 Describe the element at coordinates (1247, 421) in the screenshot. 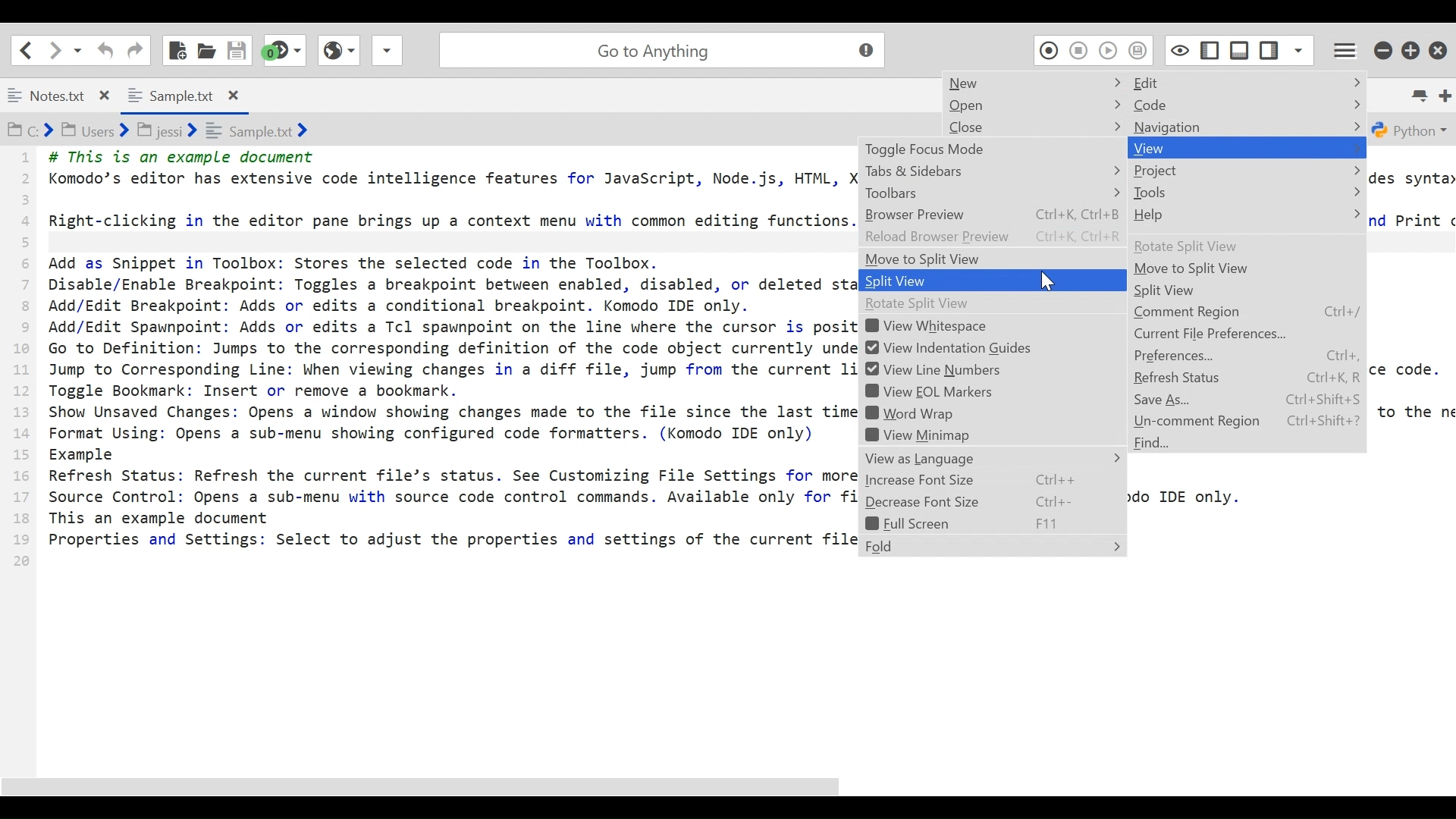

I see `Un-comment Region Ctrl+Shift+?` at that location.